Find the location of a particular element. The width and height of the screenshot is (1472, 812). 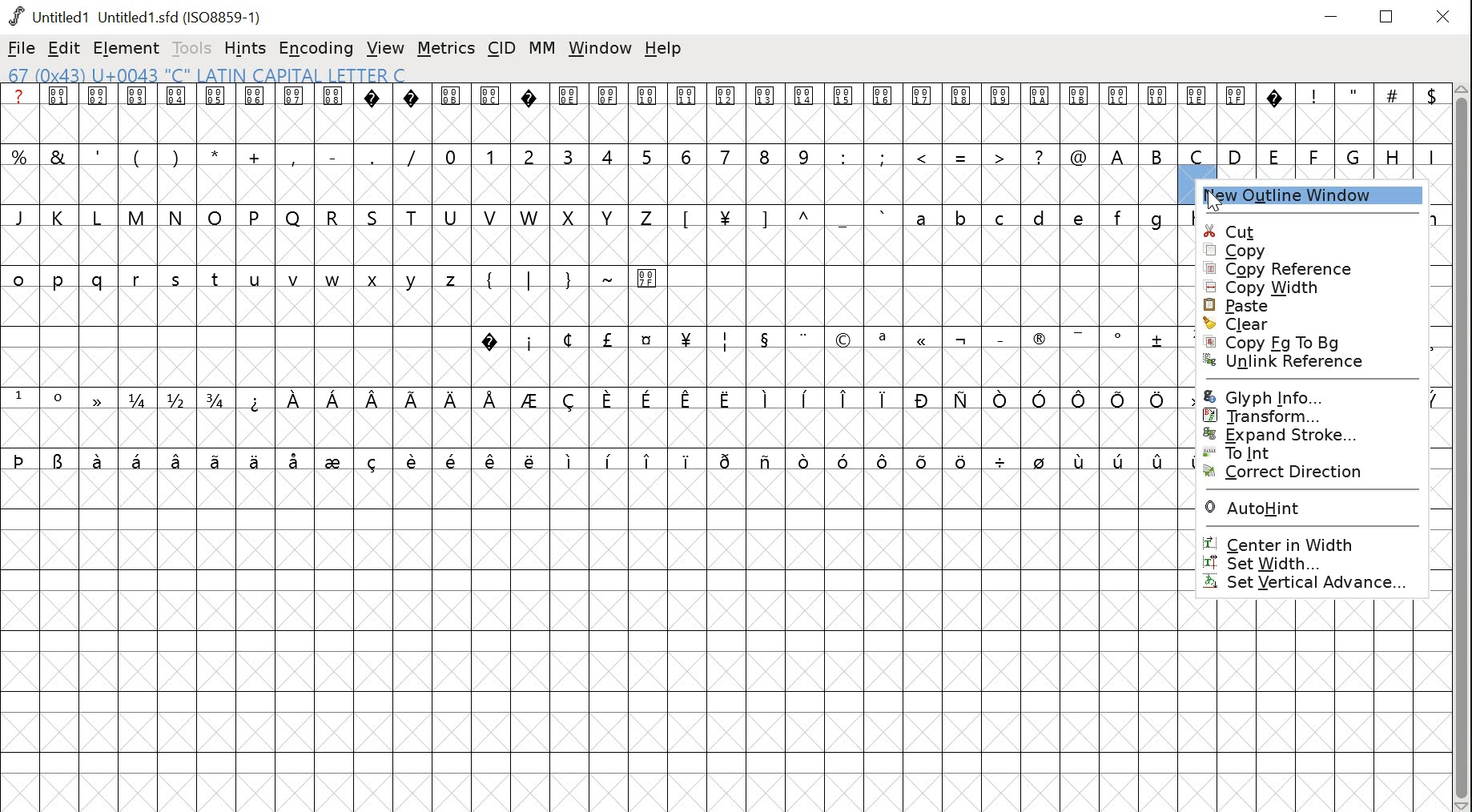

new outline window is located at coordinates (1316, 198).